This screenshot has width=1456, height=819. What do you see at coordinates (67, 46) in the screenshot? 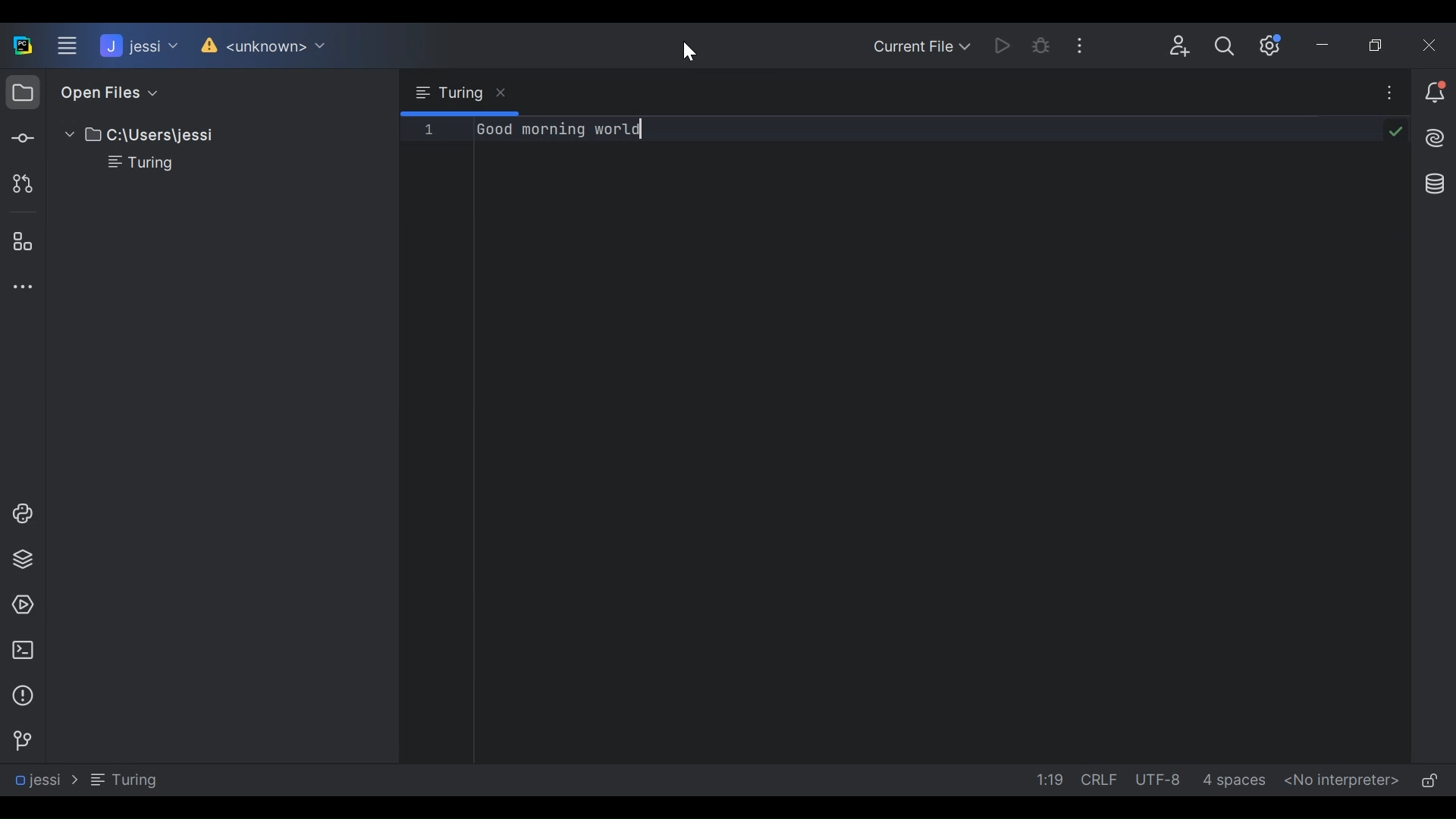
I see `Main Menu` at bounding box center [67, 46].